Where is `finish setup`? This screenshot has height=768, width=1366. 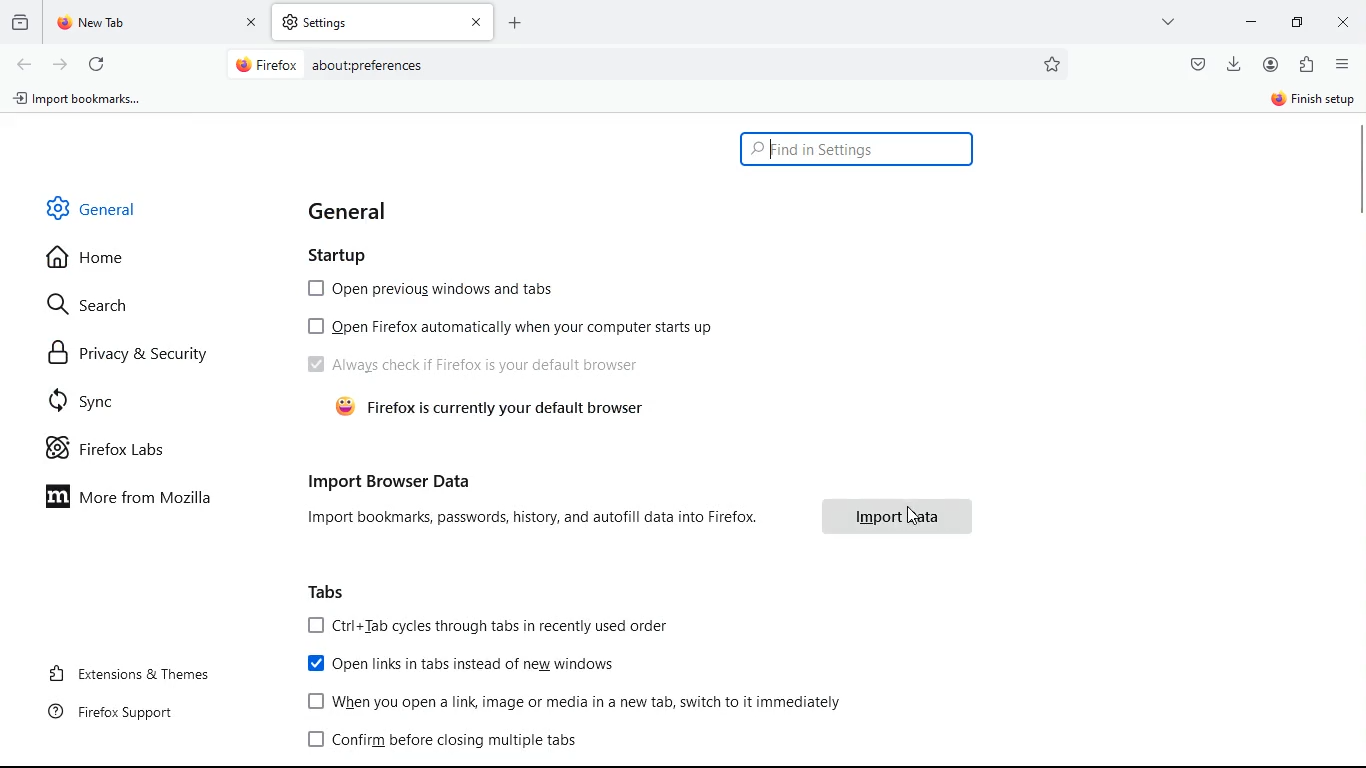 finish setup is located at coordinates (1308, 102).